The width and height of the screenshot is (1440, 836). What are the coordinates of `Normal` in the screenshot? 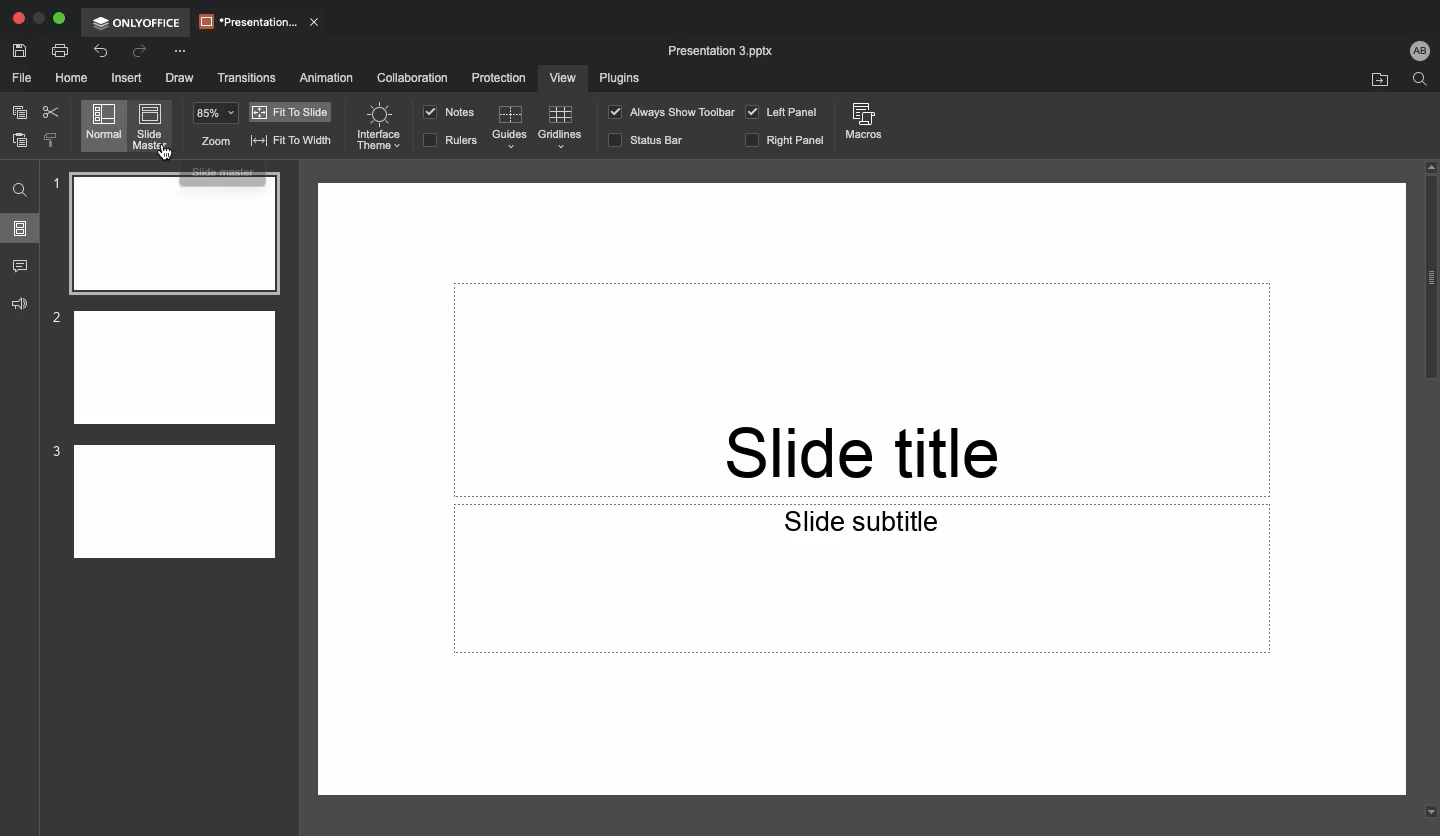 It's located at (106, 125).